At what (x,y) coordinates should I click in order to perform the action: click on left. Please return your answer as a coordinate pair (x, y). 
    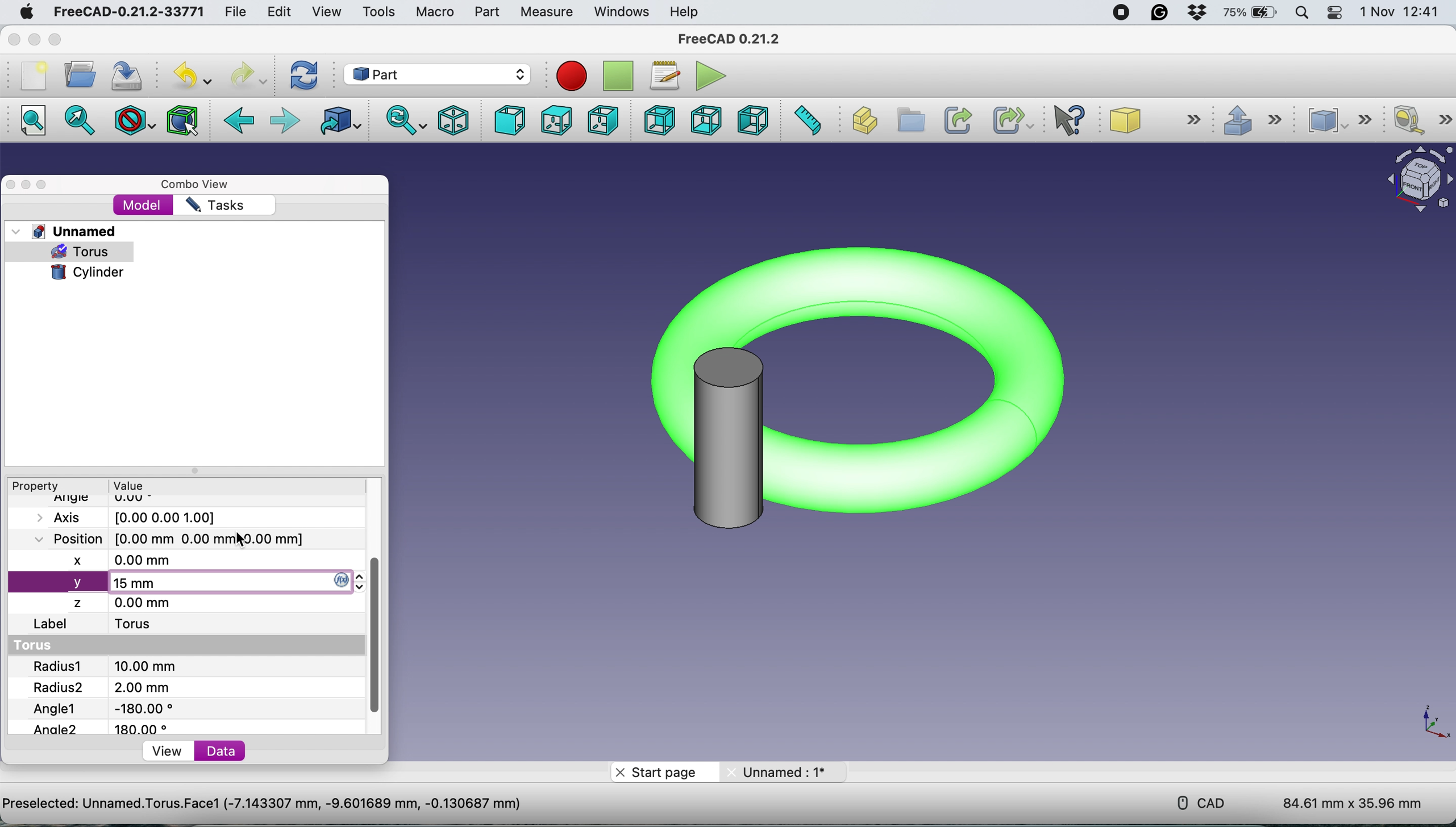
    Looking at the image, I should click on (751, 122).